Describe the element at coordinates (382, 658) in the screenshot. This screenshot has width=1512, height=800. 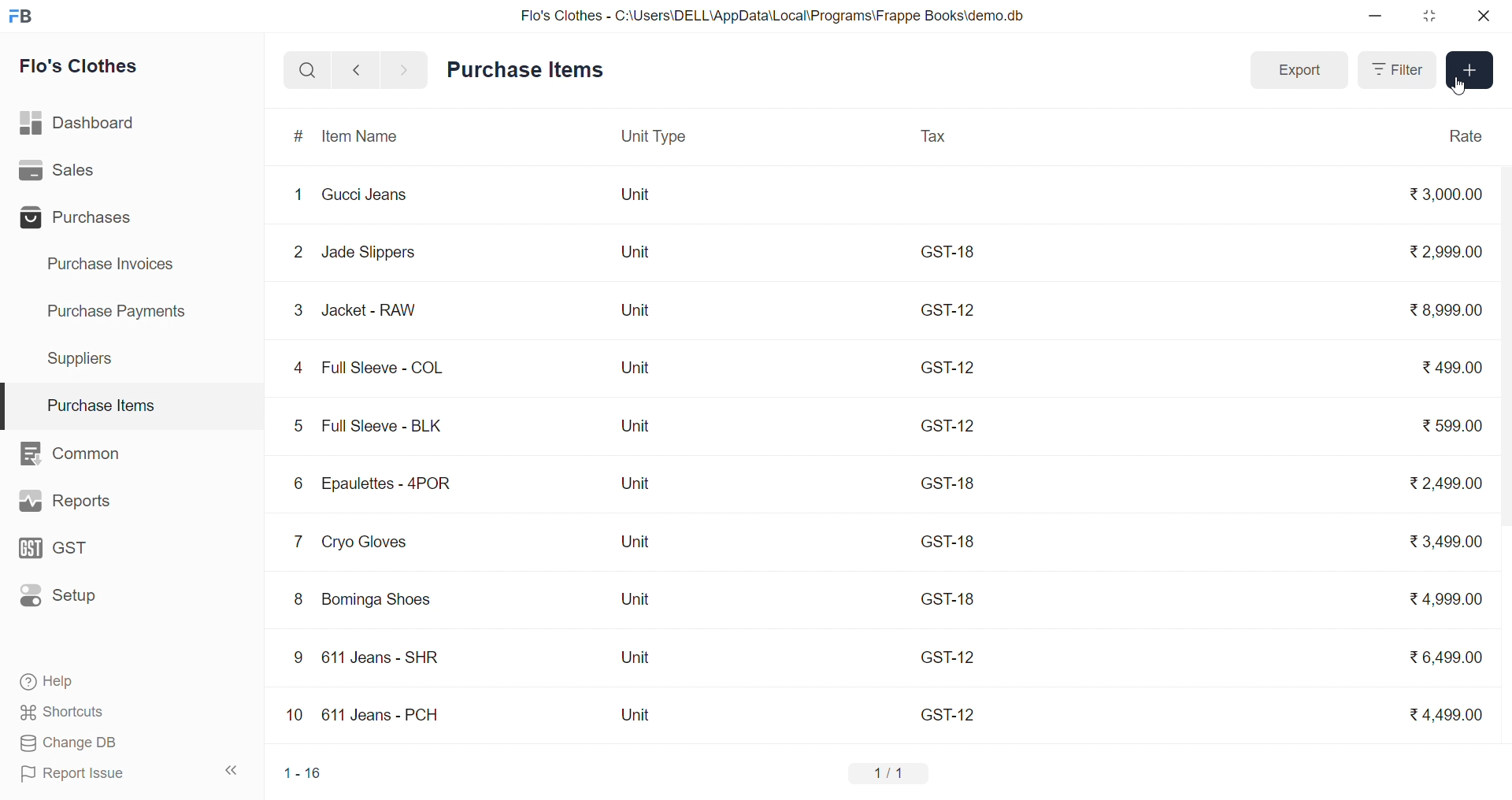
I see `611 Jeans - SHR` at that location.